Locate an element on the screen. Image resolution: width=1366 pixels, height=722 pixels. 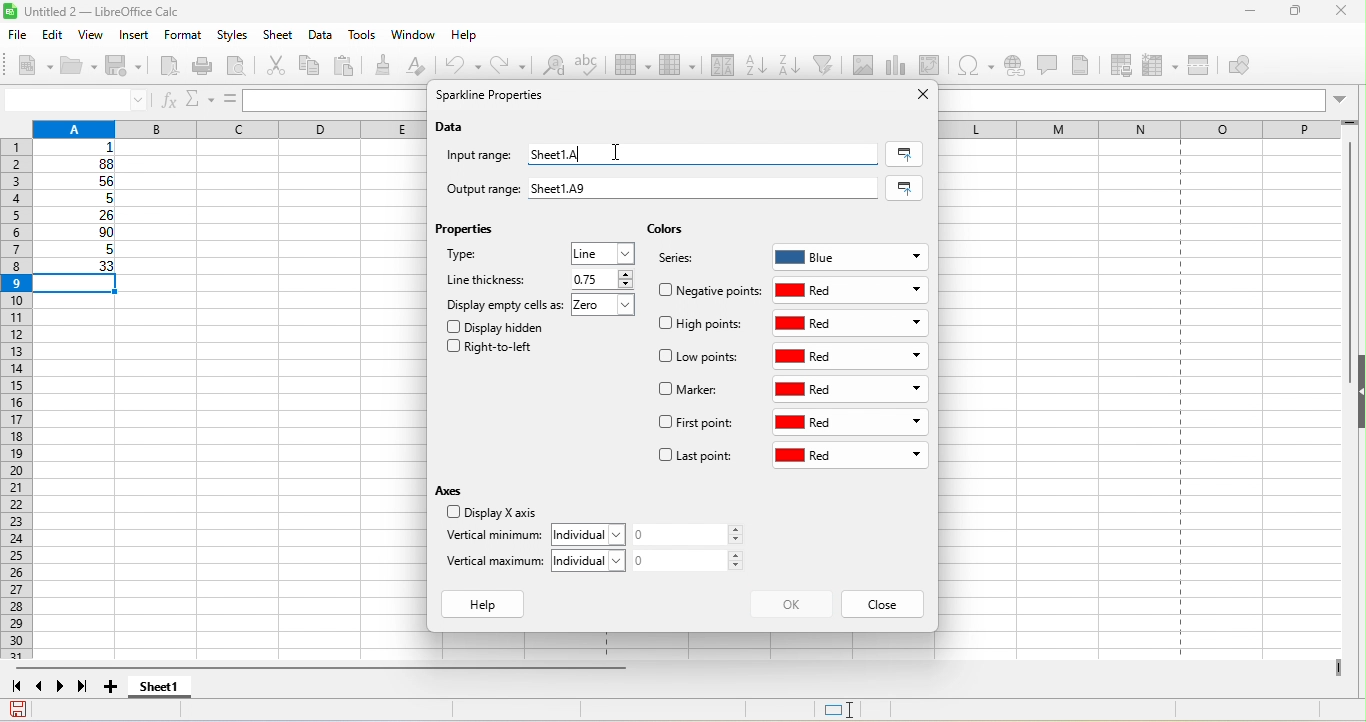
column headingas is located at coordinates (1155, 128).